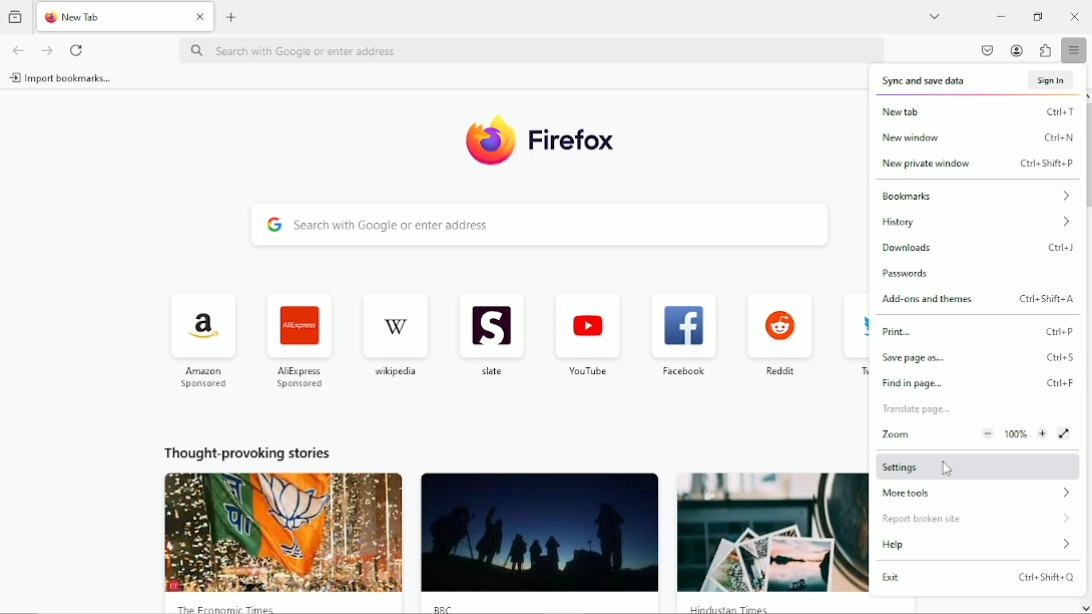  Describe the element at coordinates (781, 370) in the screenshot. I see `reddit` at that location.